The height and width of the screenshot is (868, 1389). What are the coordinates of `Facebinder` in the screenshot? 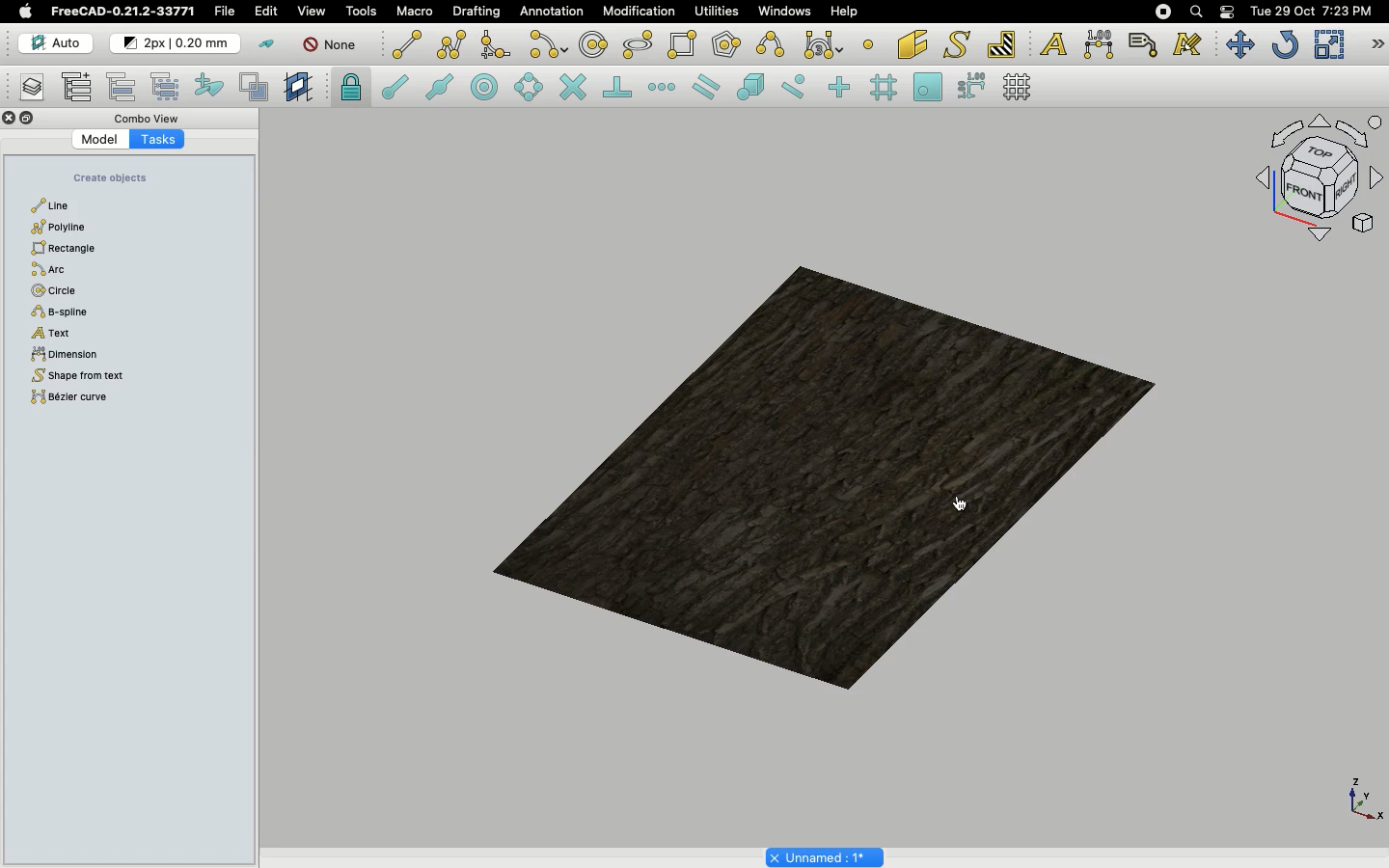 It's located at (912, 43).